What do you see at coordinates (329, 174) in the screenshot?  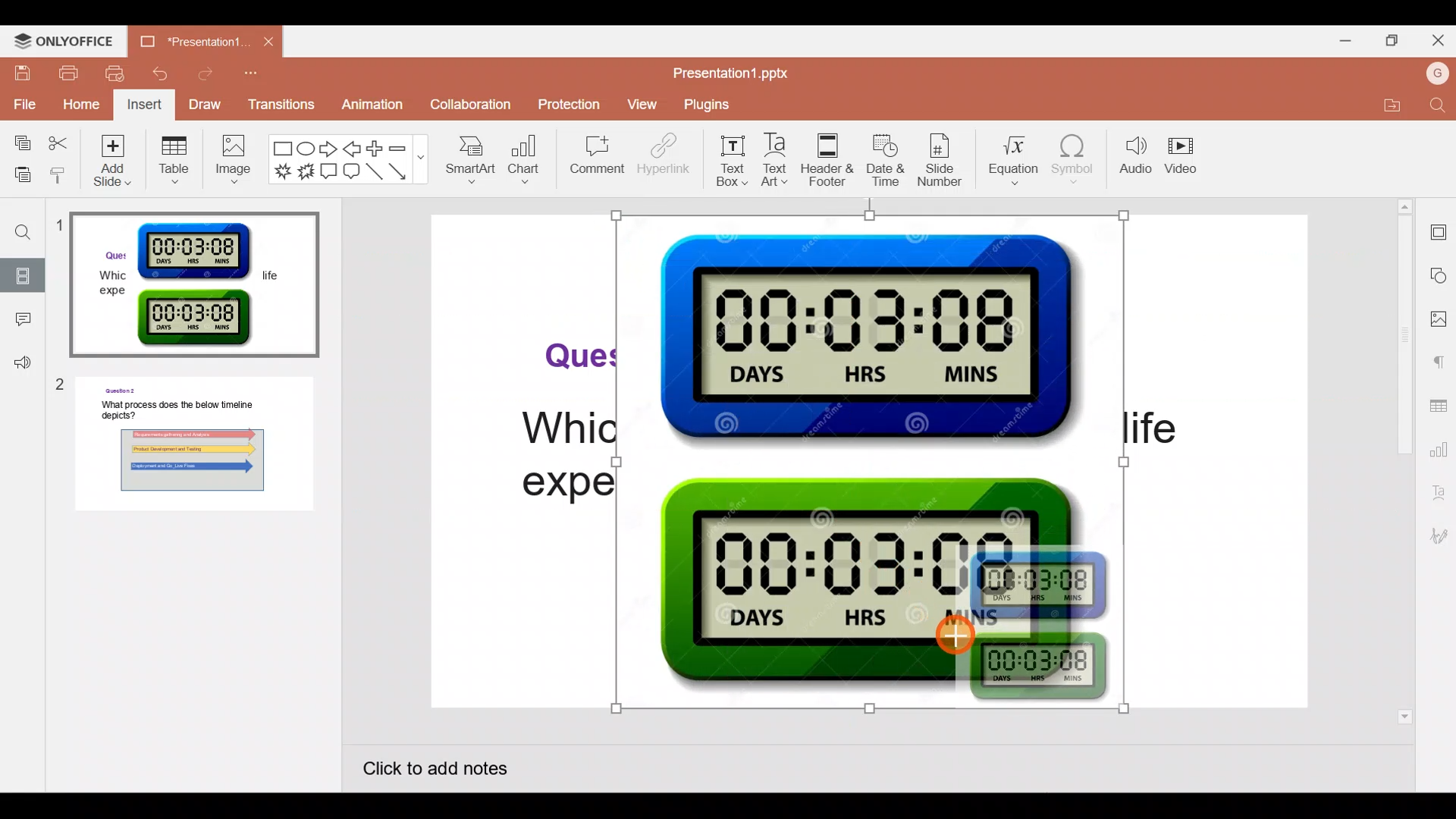 I see `Rectangular callout` at bounding box center [329, 174].